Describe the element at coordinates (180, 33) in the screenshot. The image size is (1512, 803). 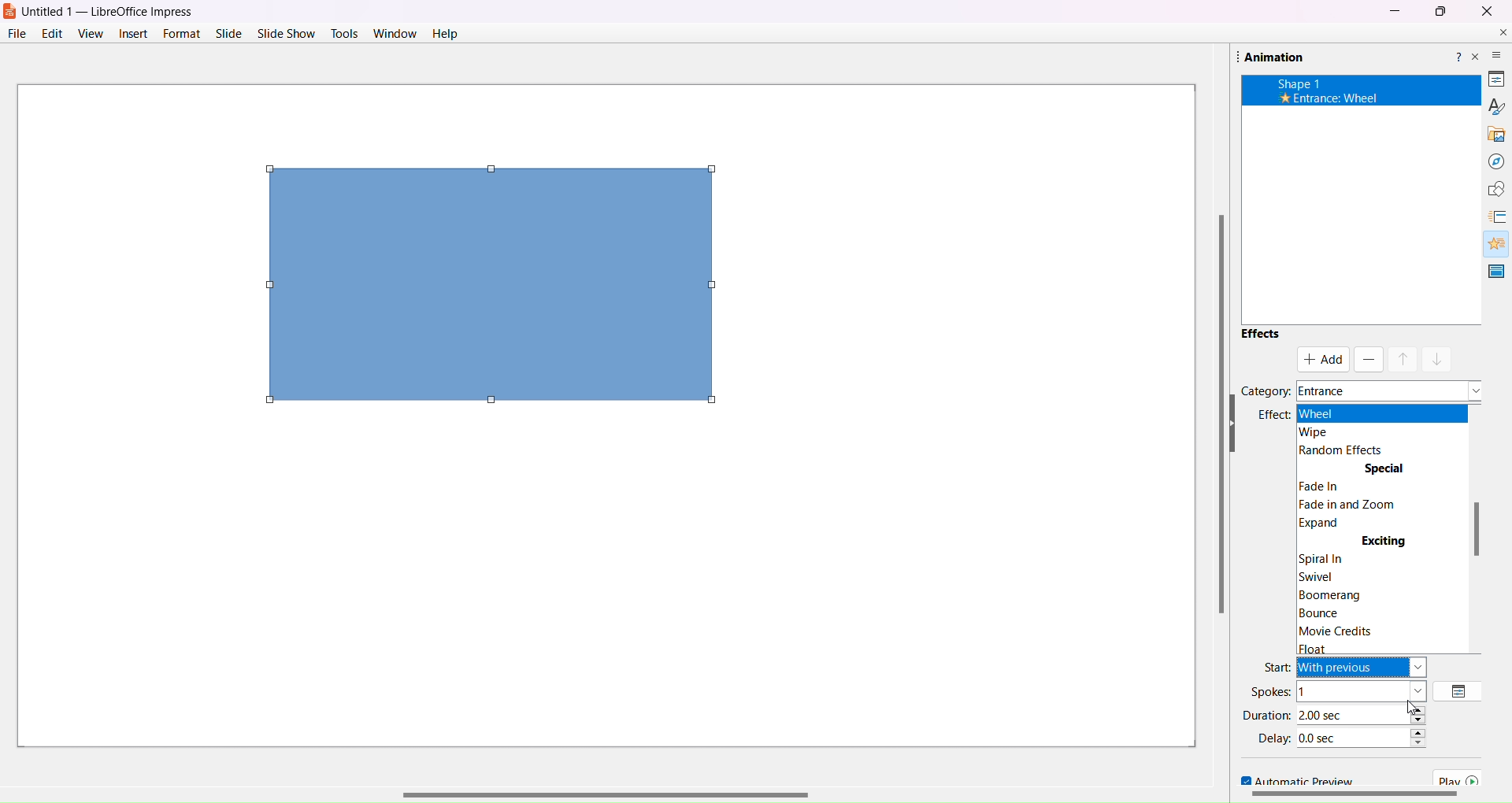
I see `Format` at that location.